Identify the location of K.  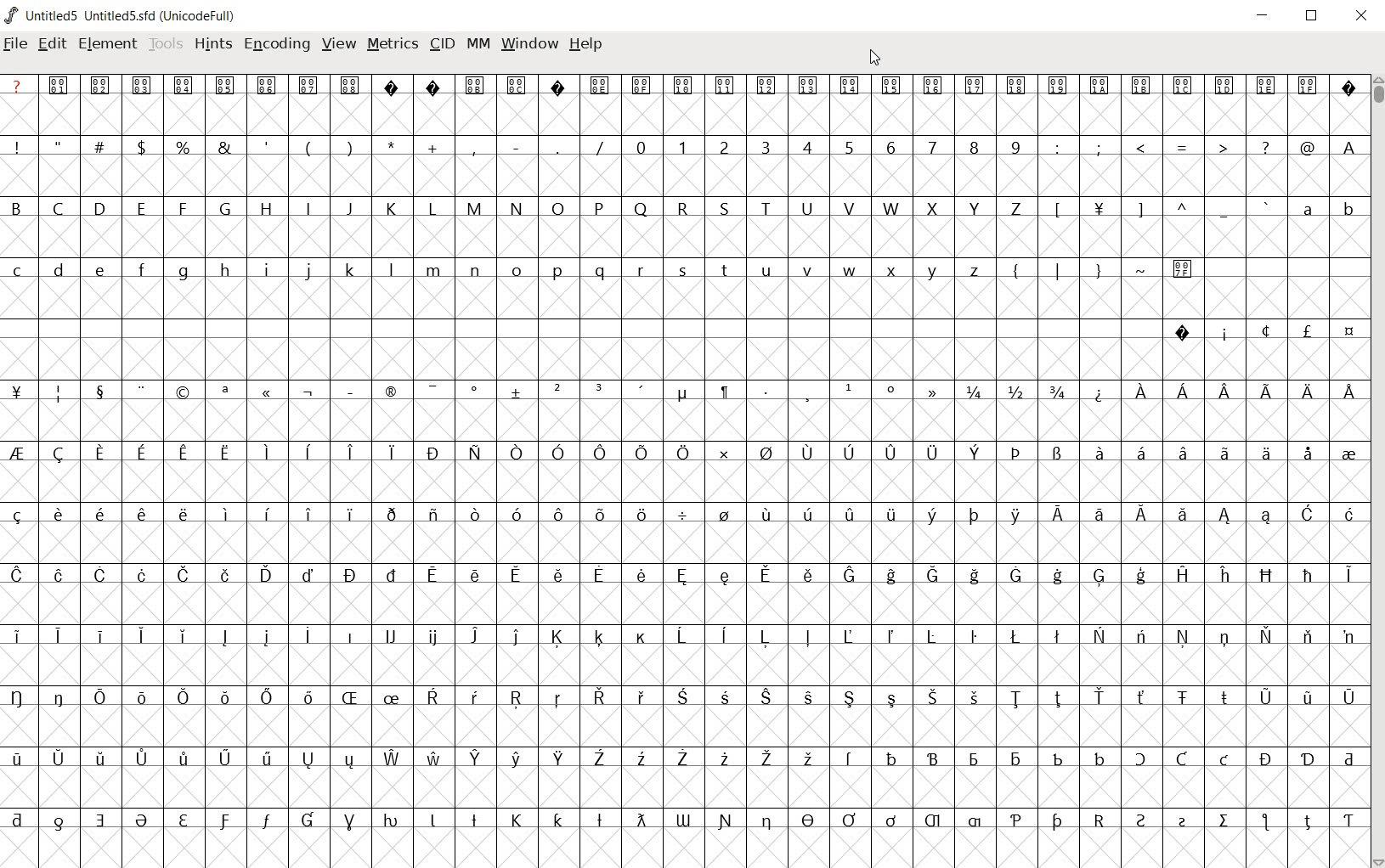
(391, 208).